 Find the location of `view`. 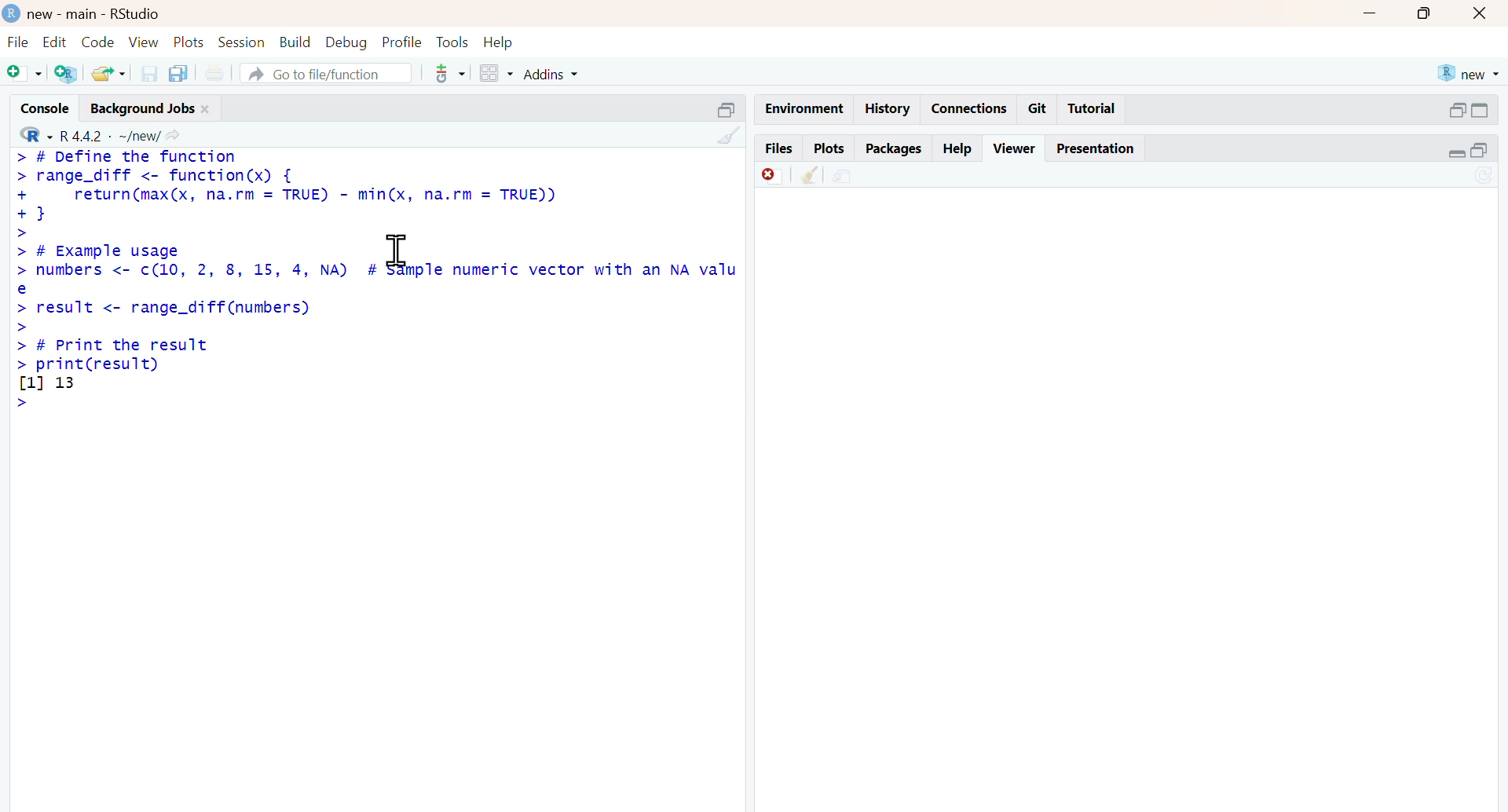

view is located at coordinates (144, 42).